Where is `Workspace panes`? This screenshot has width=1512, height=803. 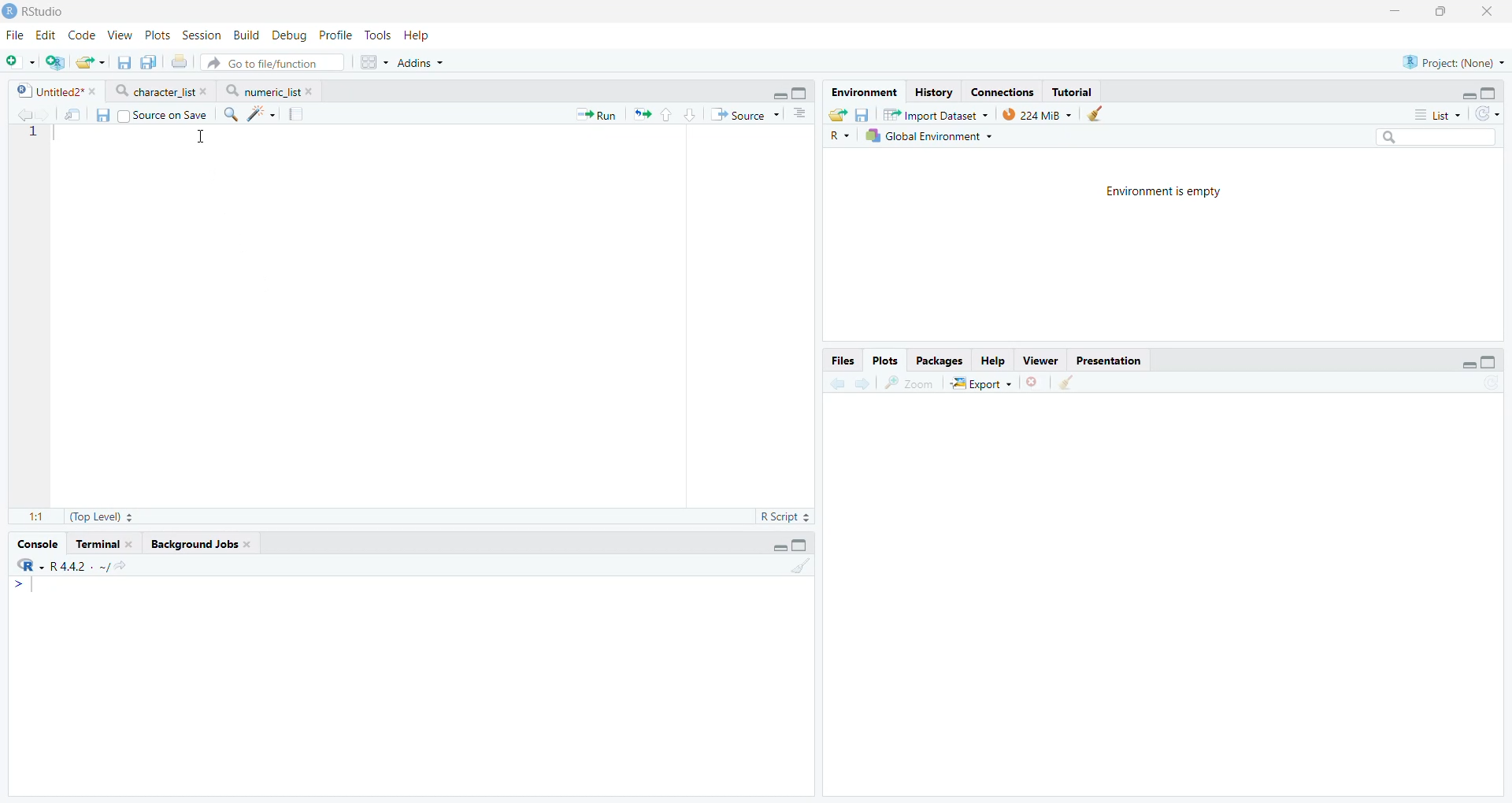 Workspace panes is located at coordinates (370, 62).